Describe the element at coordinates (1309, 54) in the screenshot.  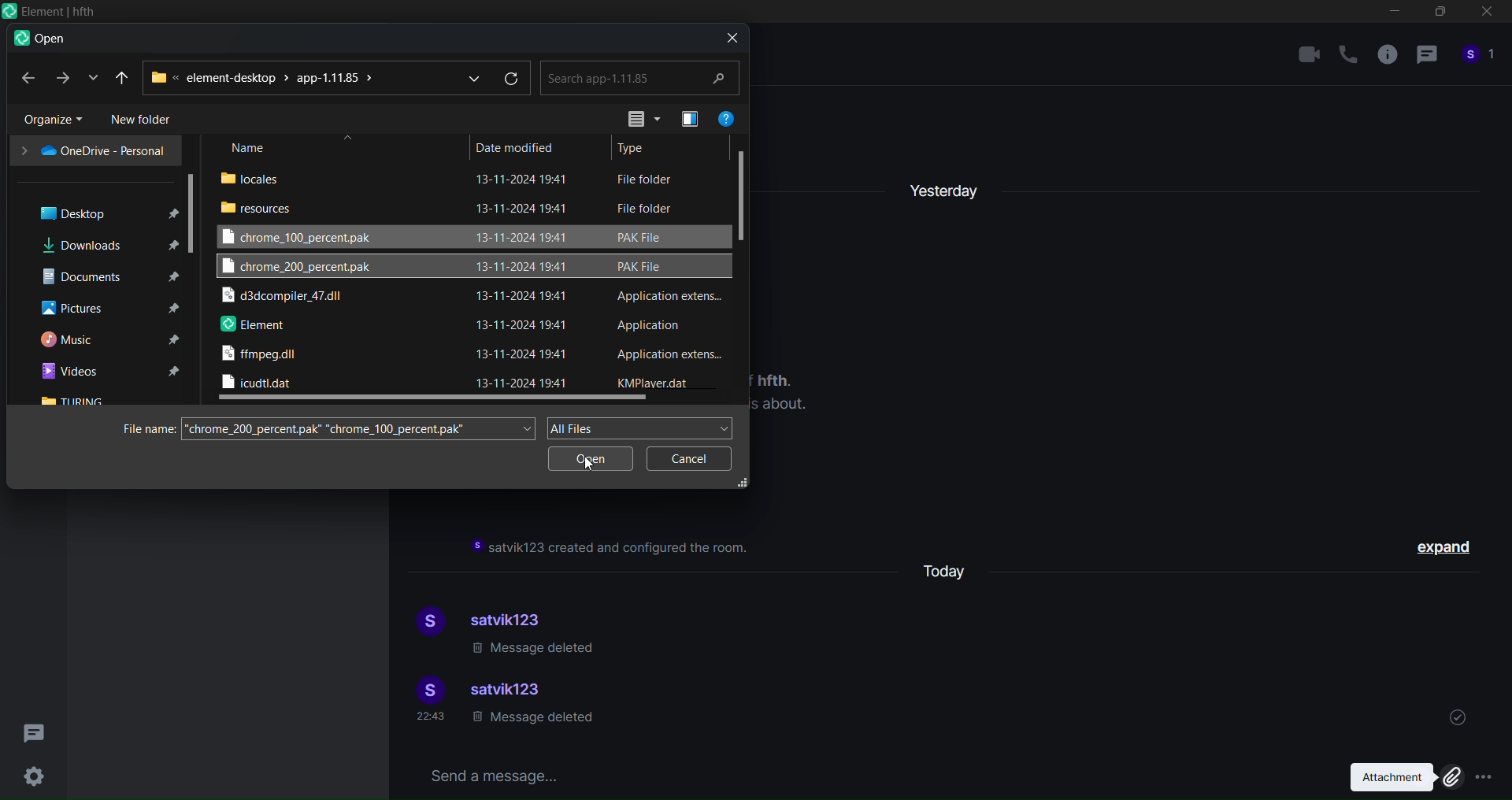
I see `video call` at that location.